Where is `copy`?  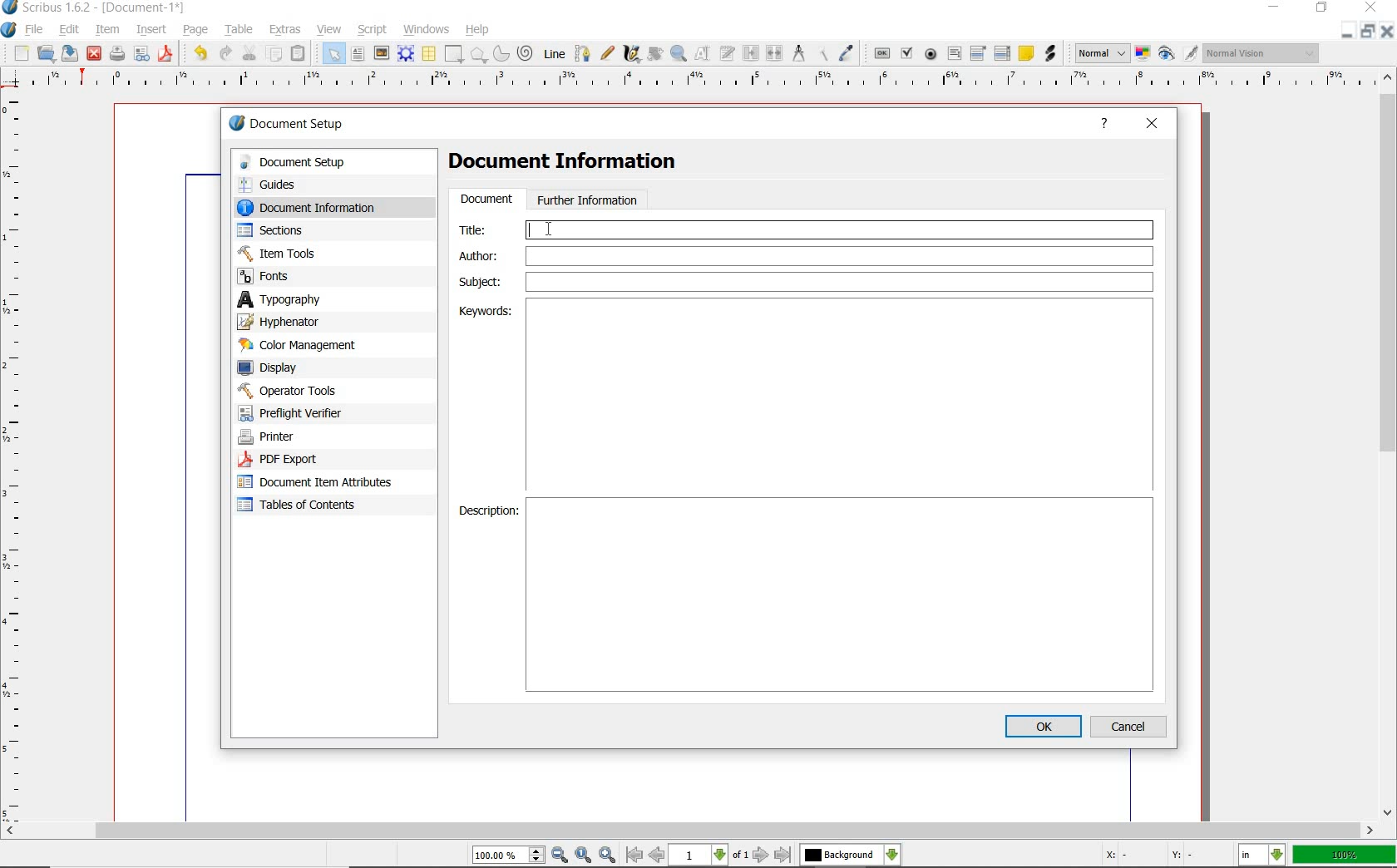
copy is located at coordinates (274, 53).